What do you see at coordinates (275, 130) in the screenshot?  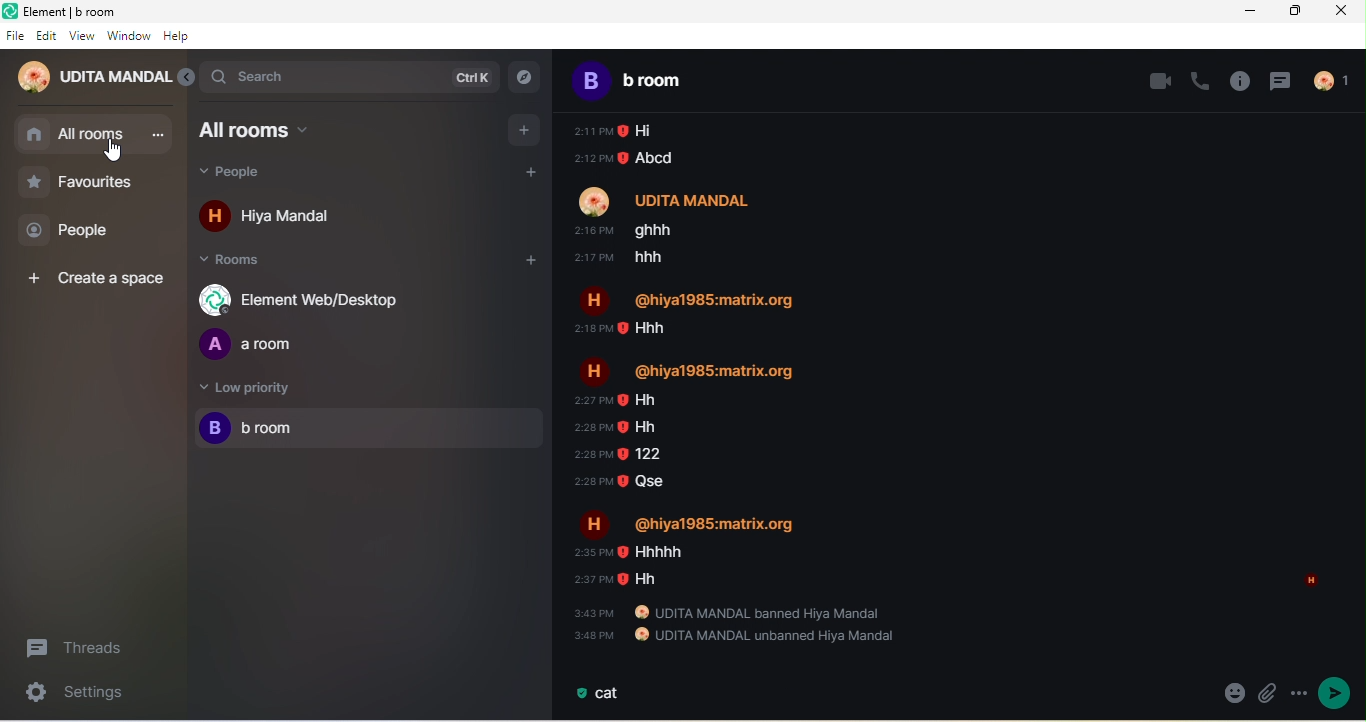 I see `all rooms` at bounding box center [275, 130].